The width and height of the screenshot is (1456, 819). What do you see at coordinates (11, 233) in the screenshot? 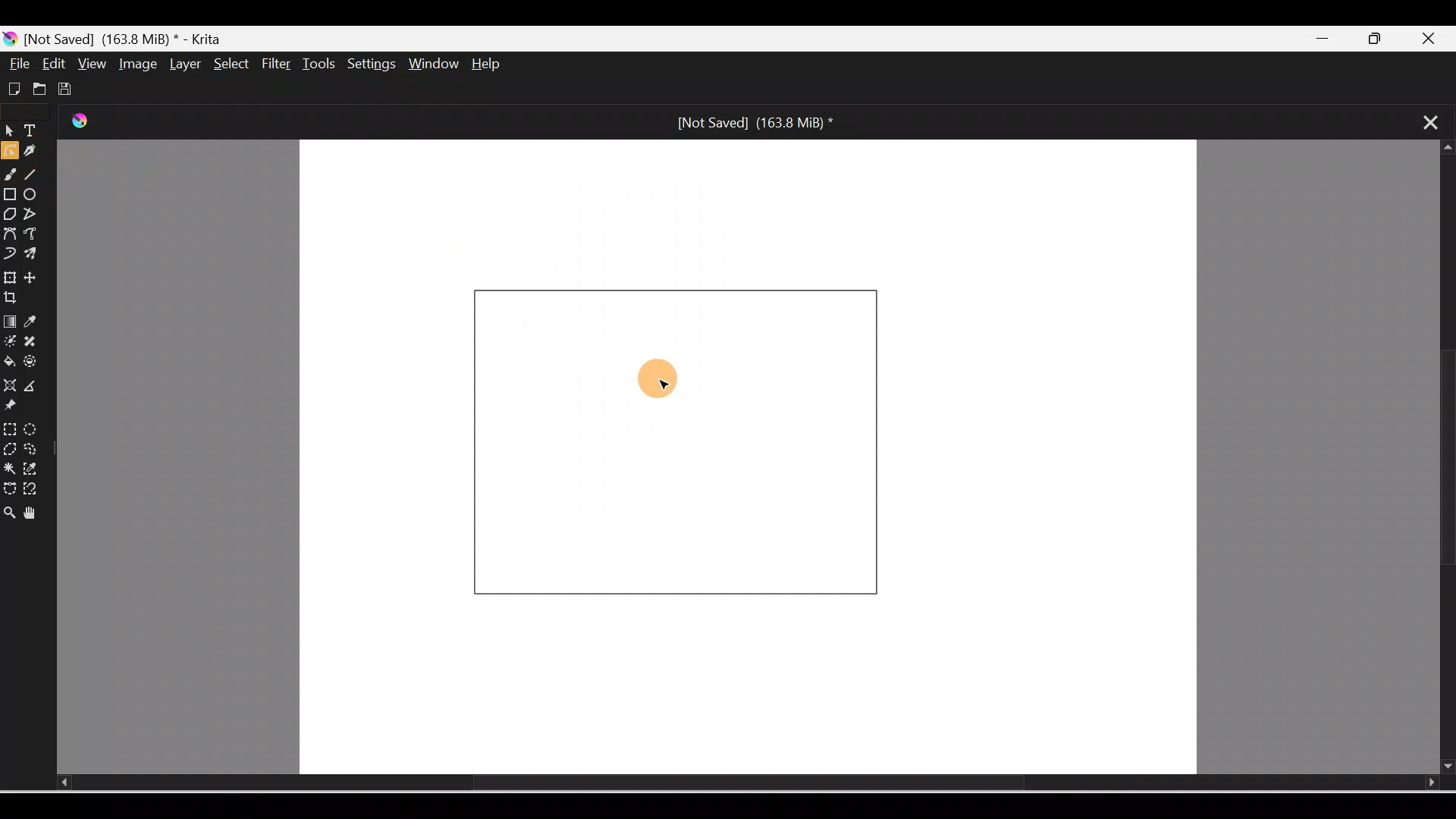
I see `Bezier curve tool` at bounding box center [11, 233].